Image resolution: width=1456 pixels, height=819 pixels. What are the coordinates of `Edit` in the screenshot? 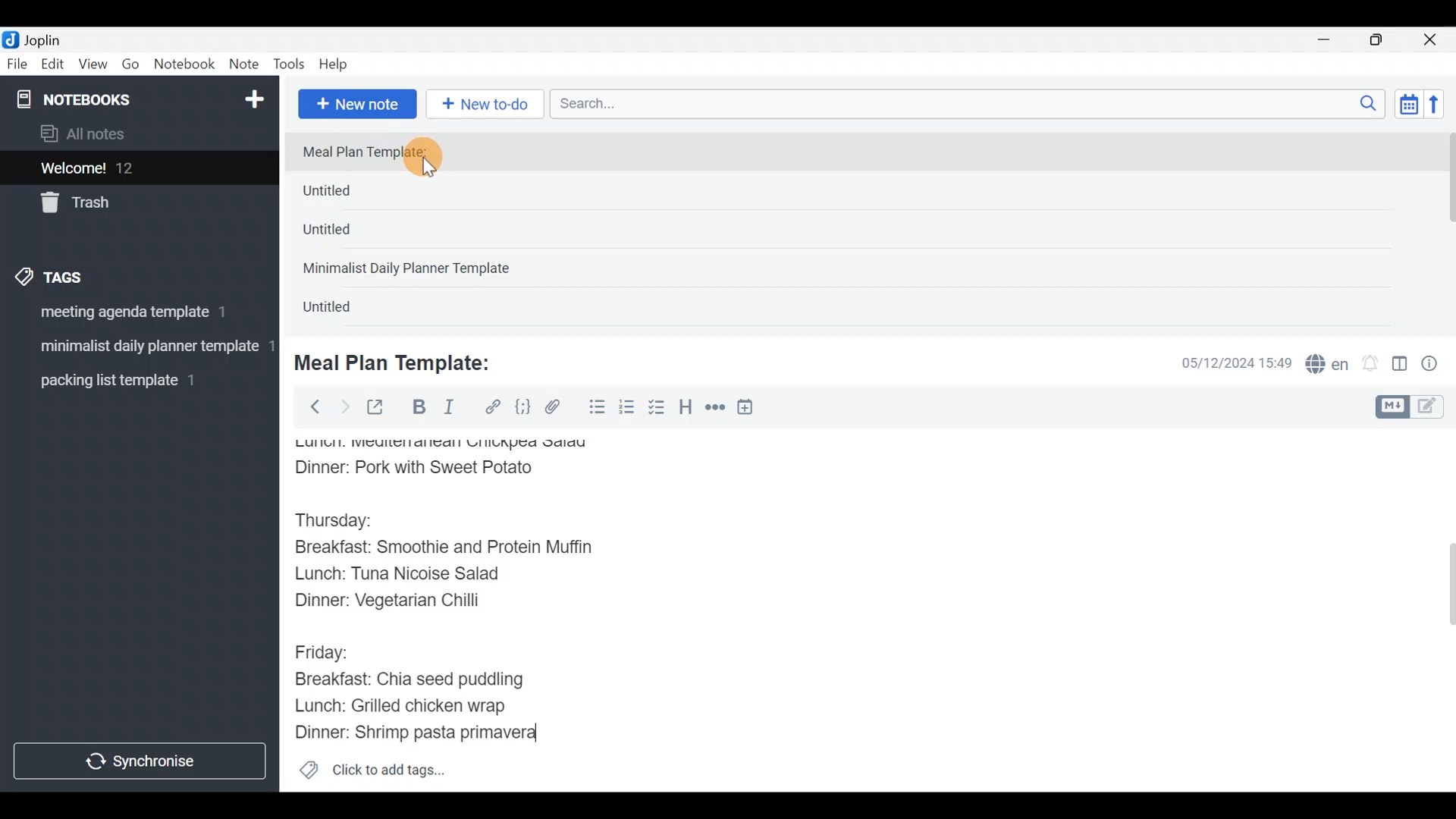 It's located at (53, 67).